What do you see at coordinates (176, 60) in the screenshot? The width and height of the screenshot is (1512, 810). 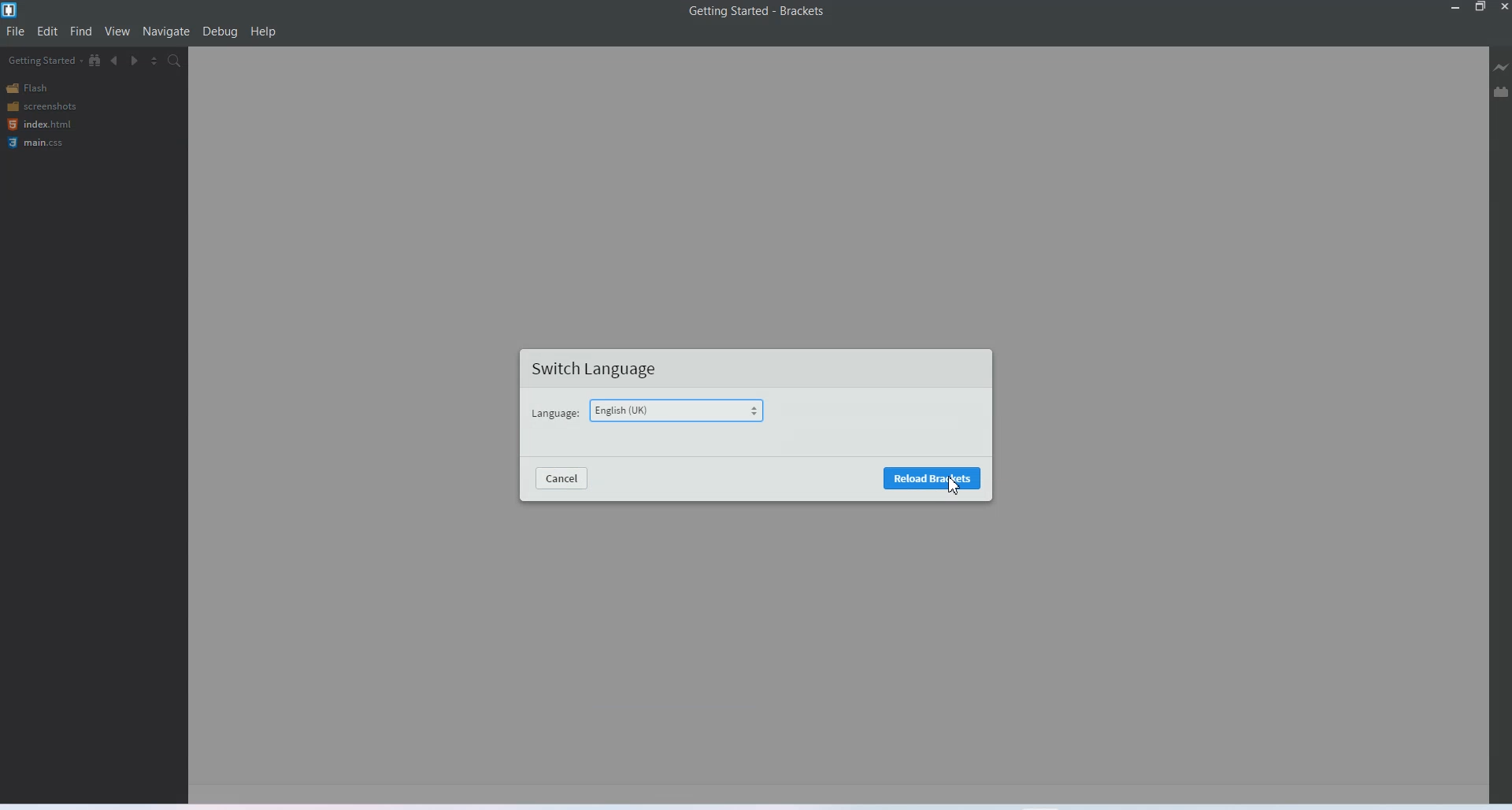 I see `Find in files` at bounding box center [176, 60].